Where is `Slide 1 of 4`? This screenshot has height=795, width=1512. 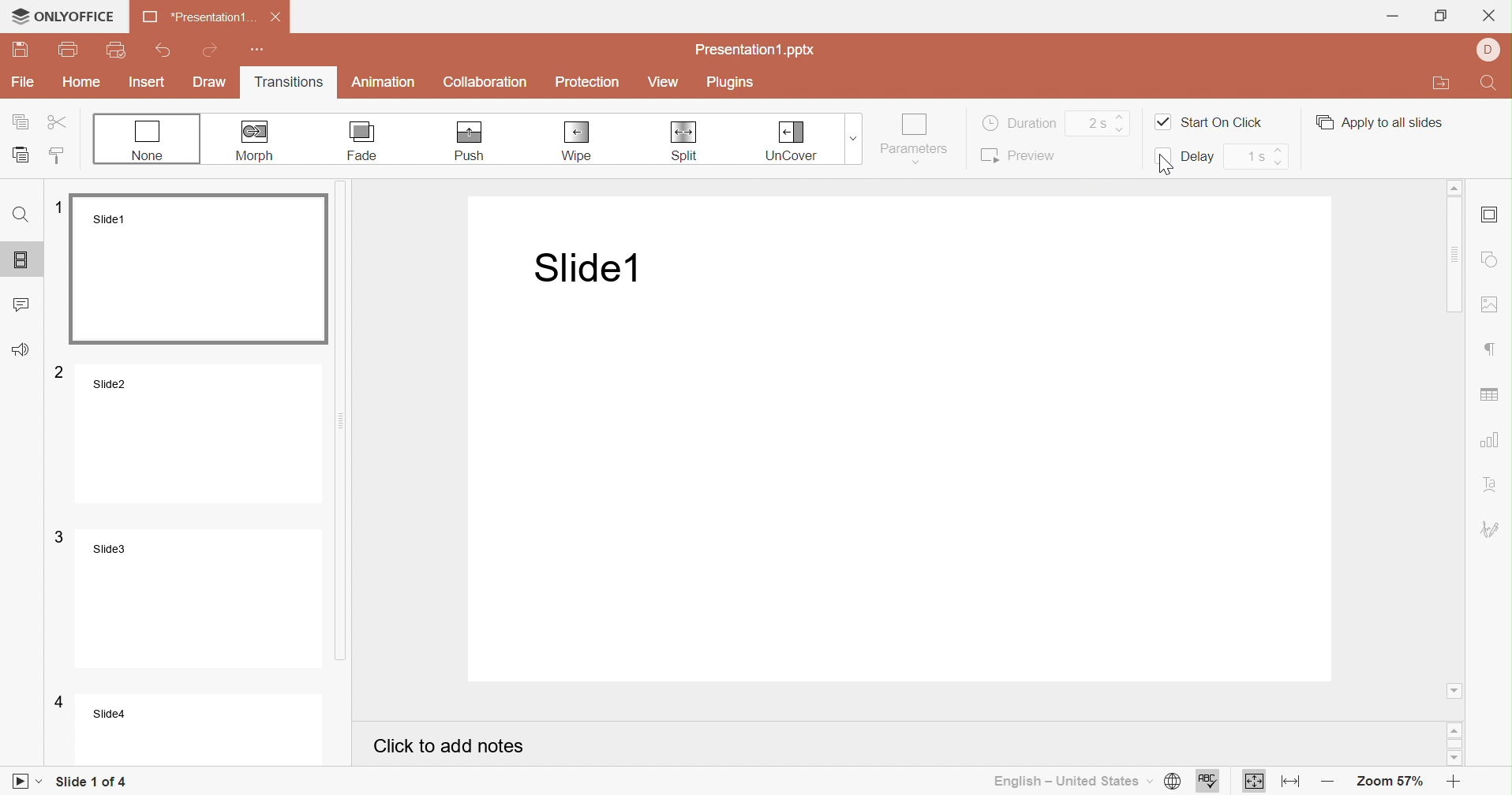 Slide 1 of 4 is located at coordinates (91, 782).